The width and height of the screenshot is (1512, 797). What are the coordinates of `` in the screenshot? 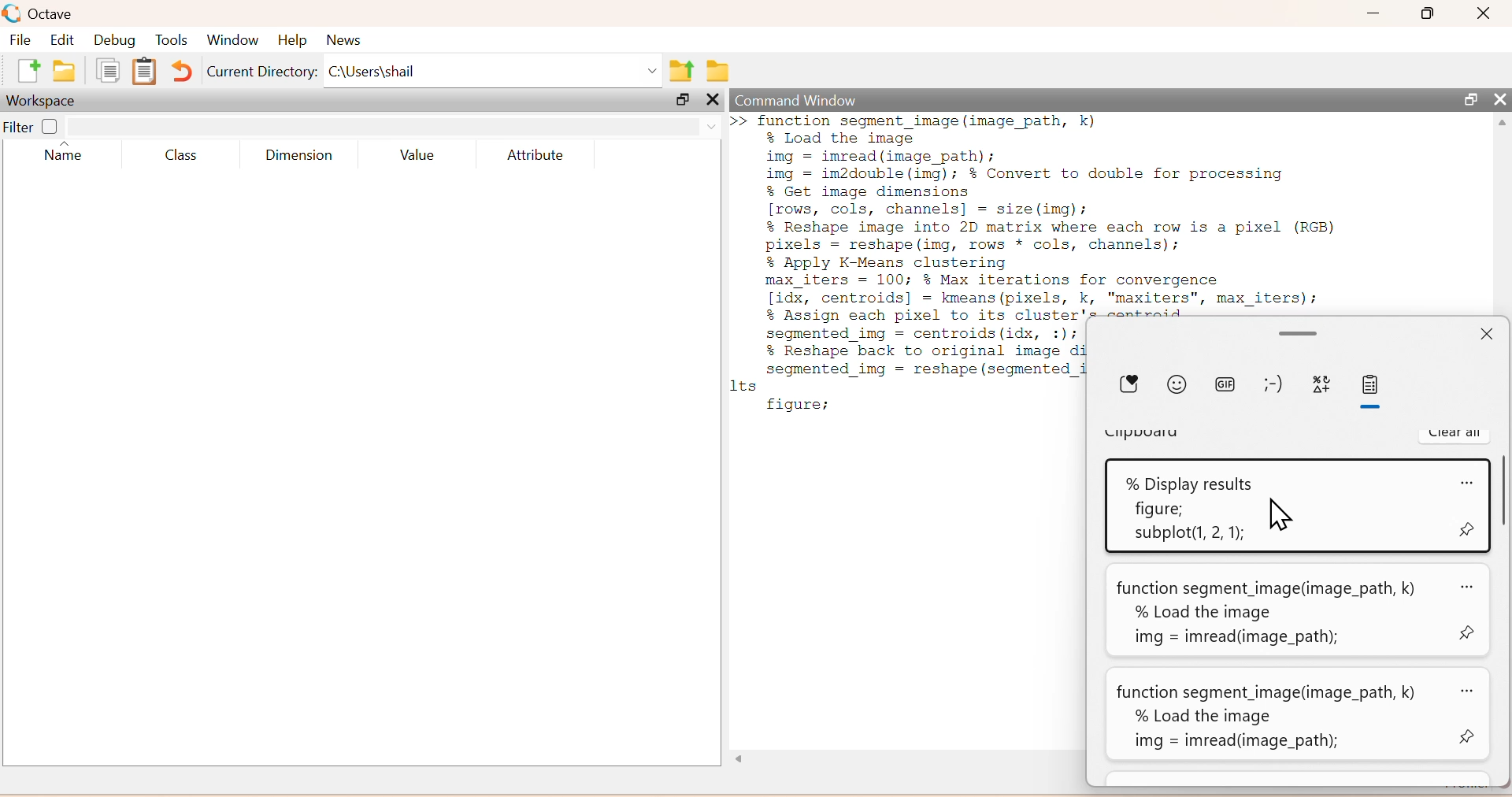 It's located at (713, 99).